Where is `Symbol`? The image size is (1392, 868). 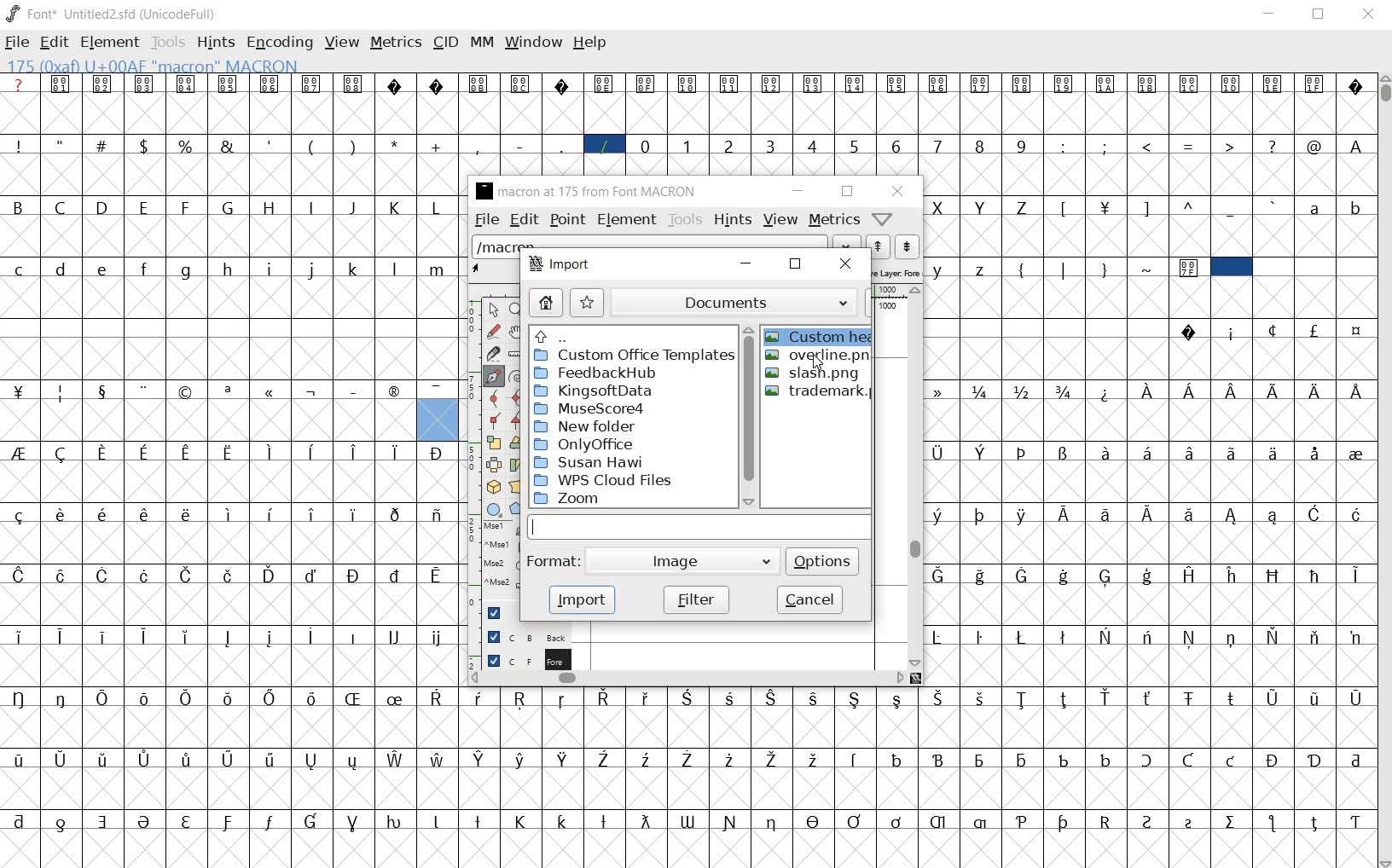 Symbol is located at coordinates (273, 820).